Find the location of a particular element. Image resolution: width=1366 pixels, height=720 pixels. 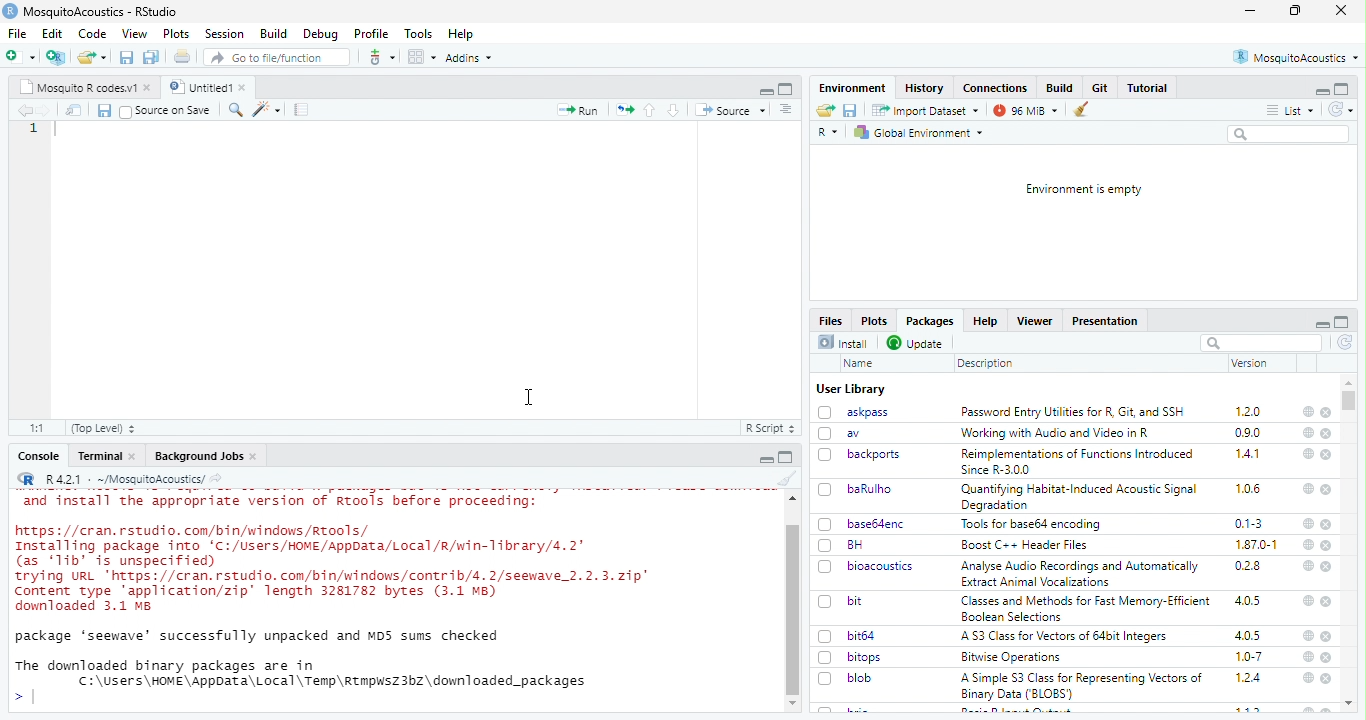

add file is located at coordinates (56, 57).